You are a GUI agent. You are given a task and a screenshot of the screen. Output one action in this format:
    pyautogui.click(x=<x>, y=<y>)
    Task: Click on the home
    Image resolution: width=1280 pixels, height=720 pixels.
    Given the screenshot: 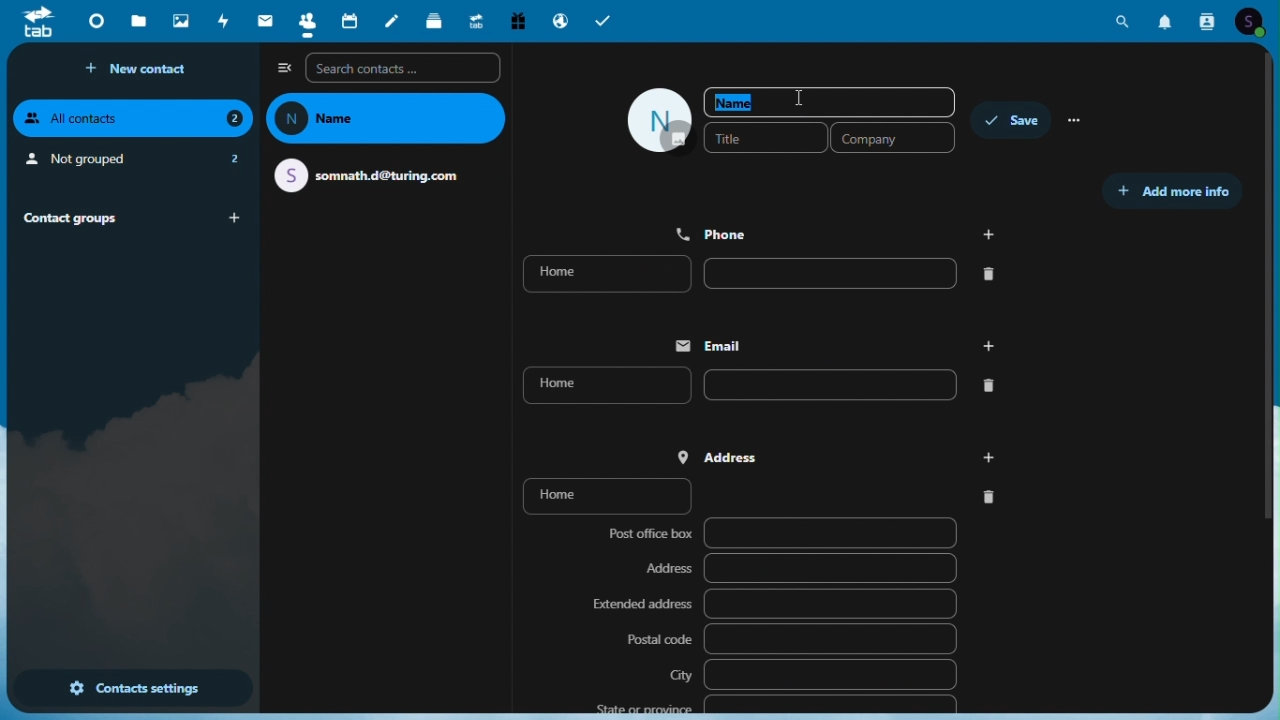 What is the action you would take?
    pyautogui.click(x=764, y=494)
    